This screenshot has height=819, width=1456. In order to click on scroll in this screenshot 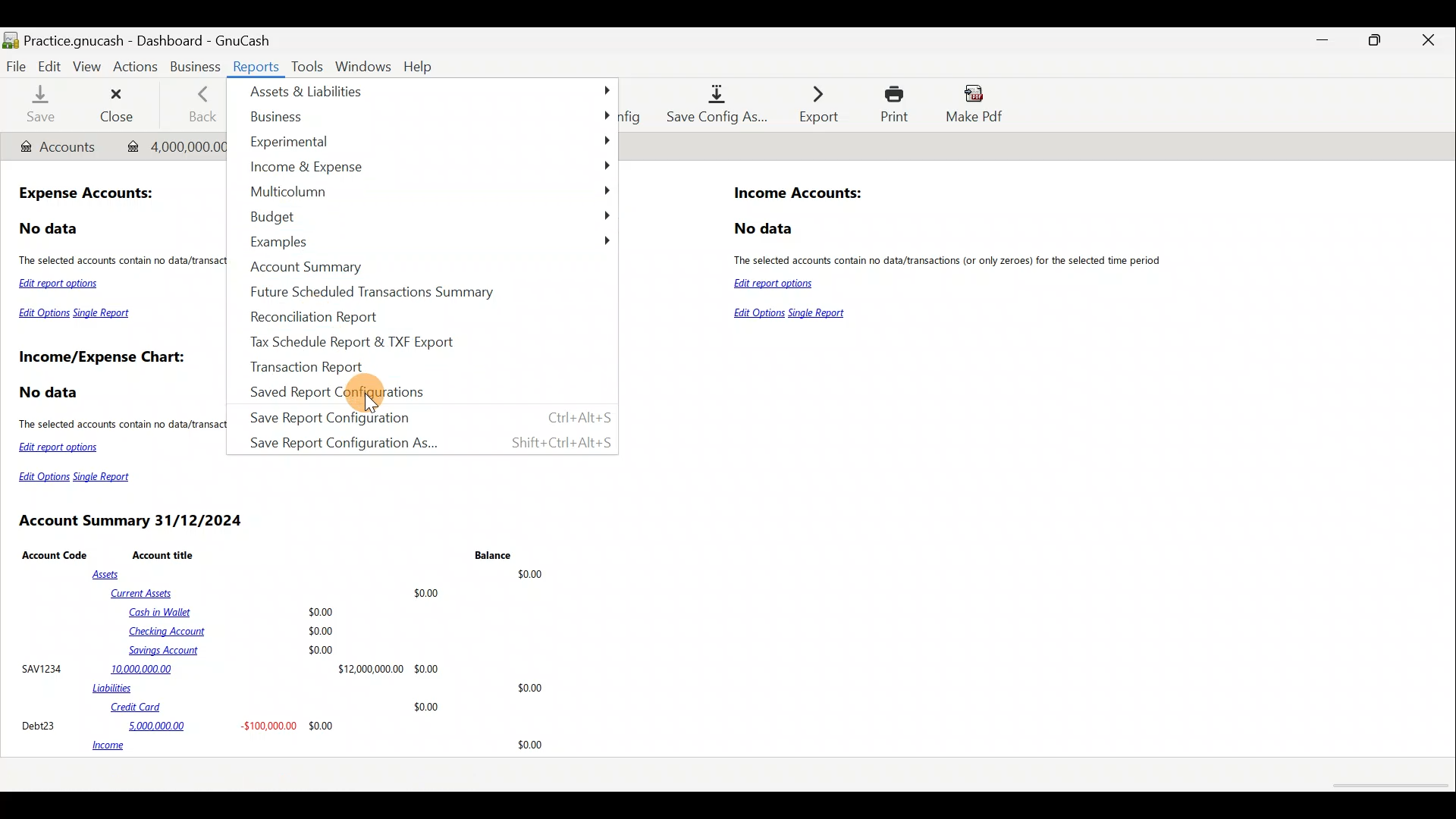, I will do `click(1388, 786)`.